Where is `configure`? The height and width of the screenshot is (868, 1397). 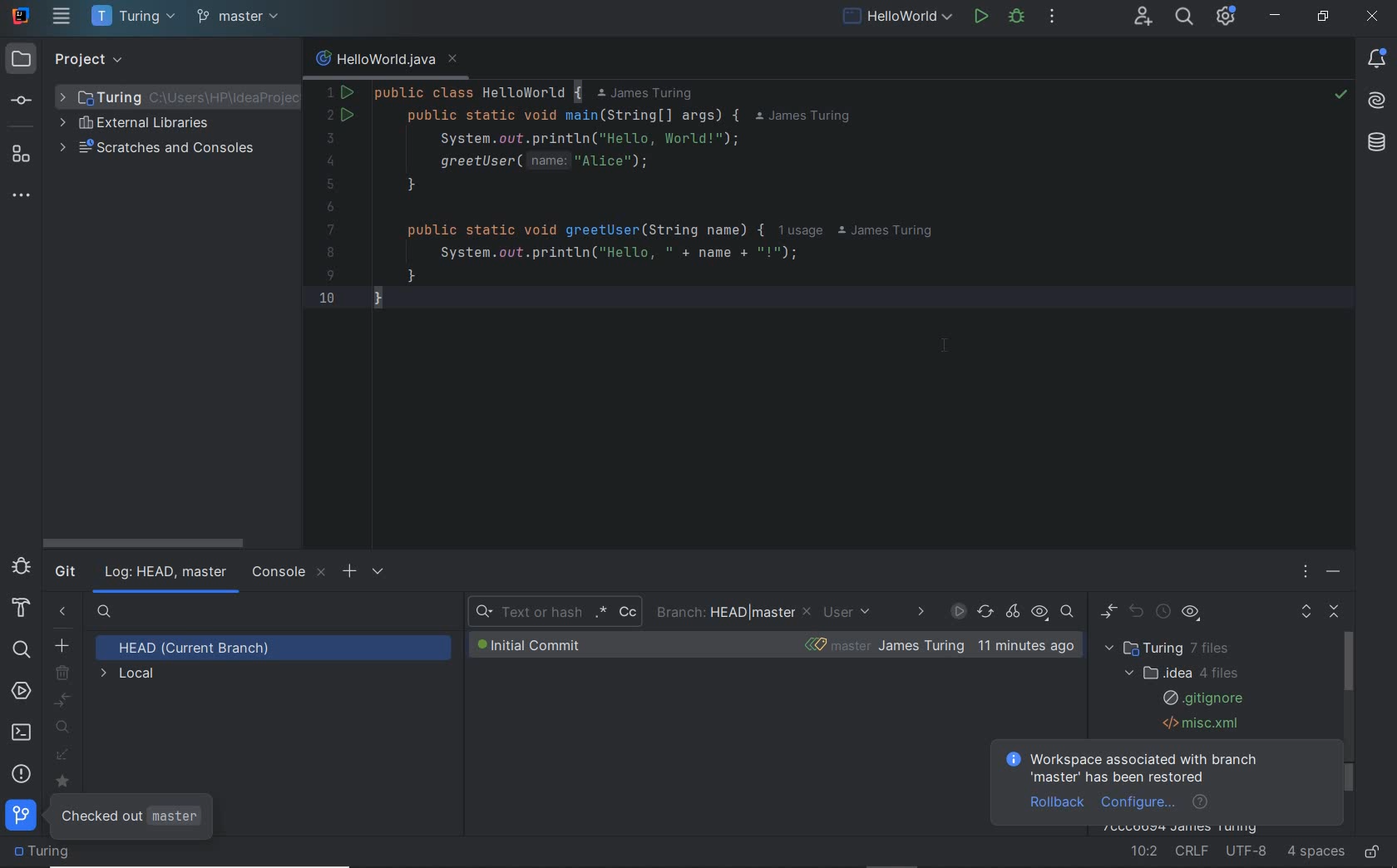
configure is located at coordinates (1139, 802).